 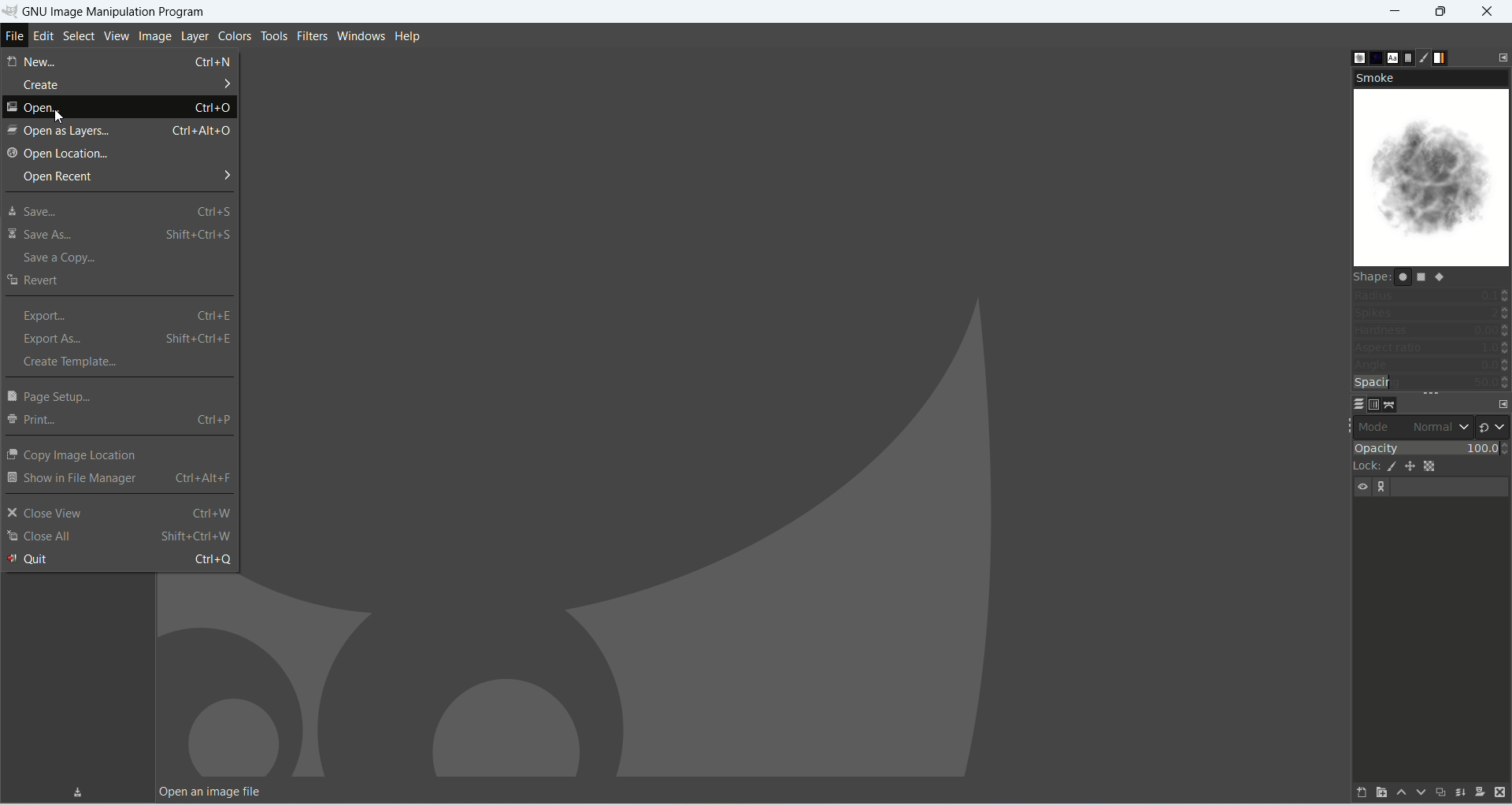 I want to click on copy image location, so click(x=76, y=455).